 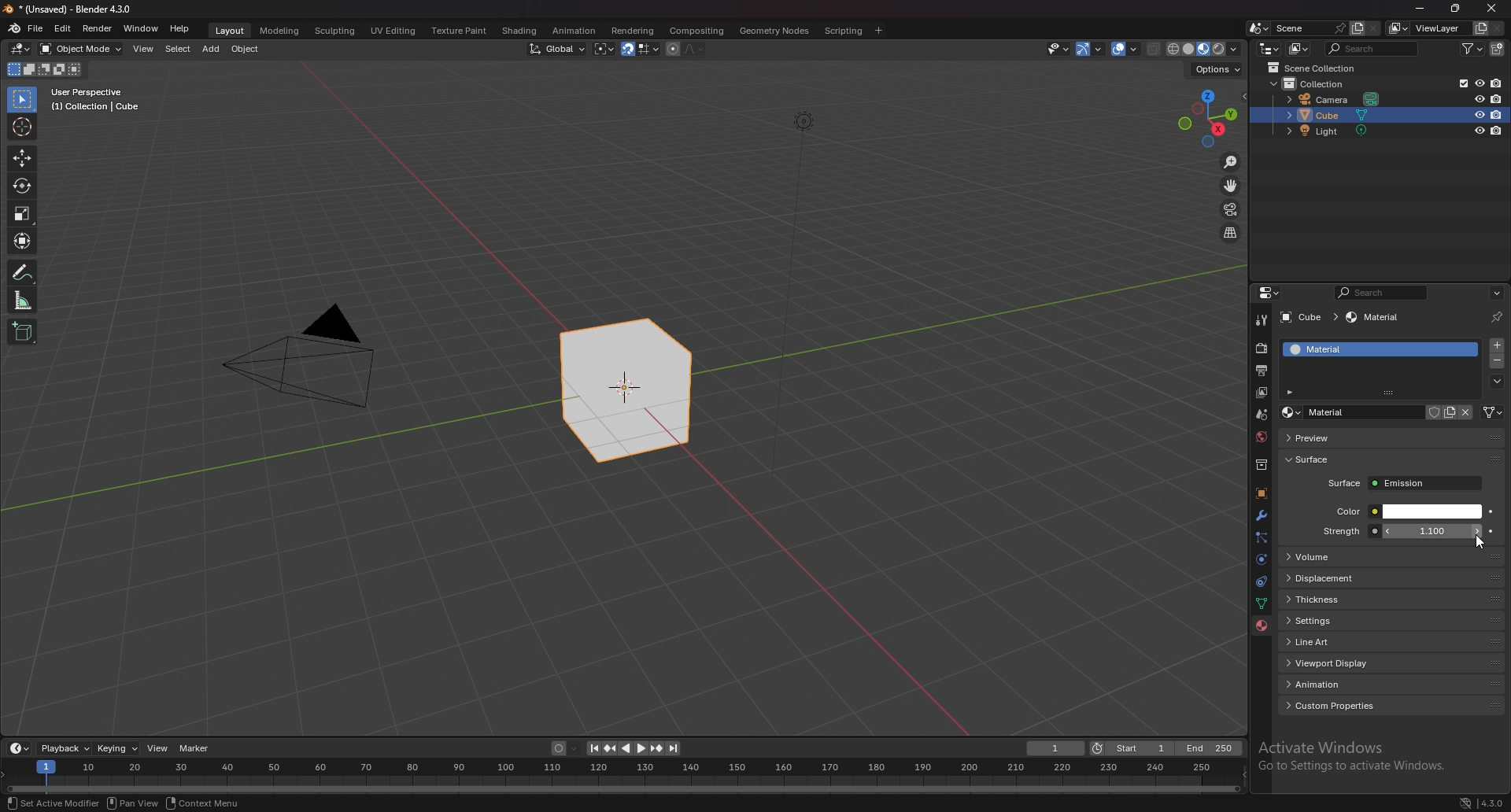 I want to click on scale, so click(x=23, y=212).